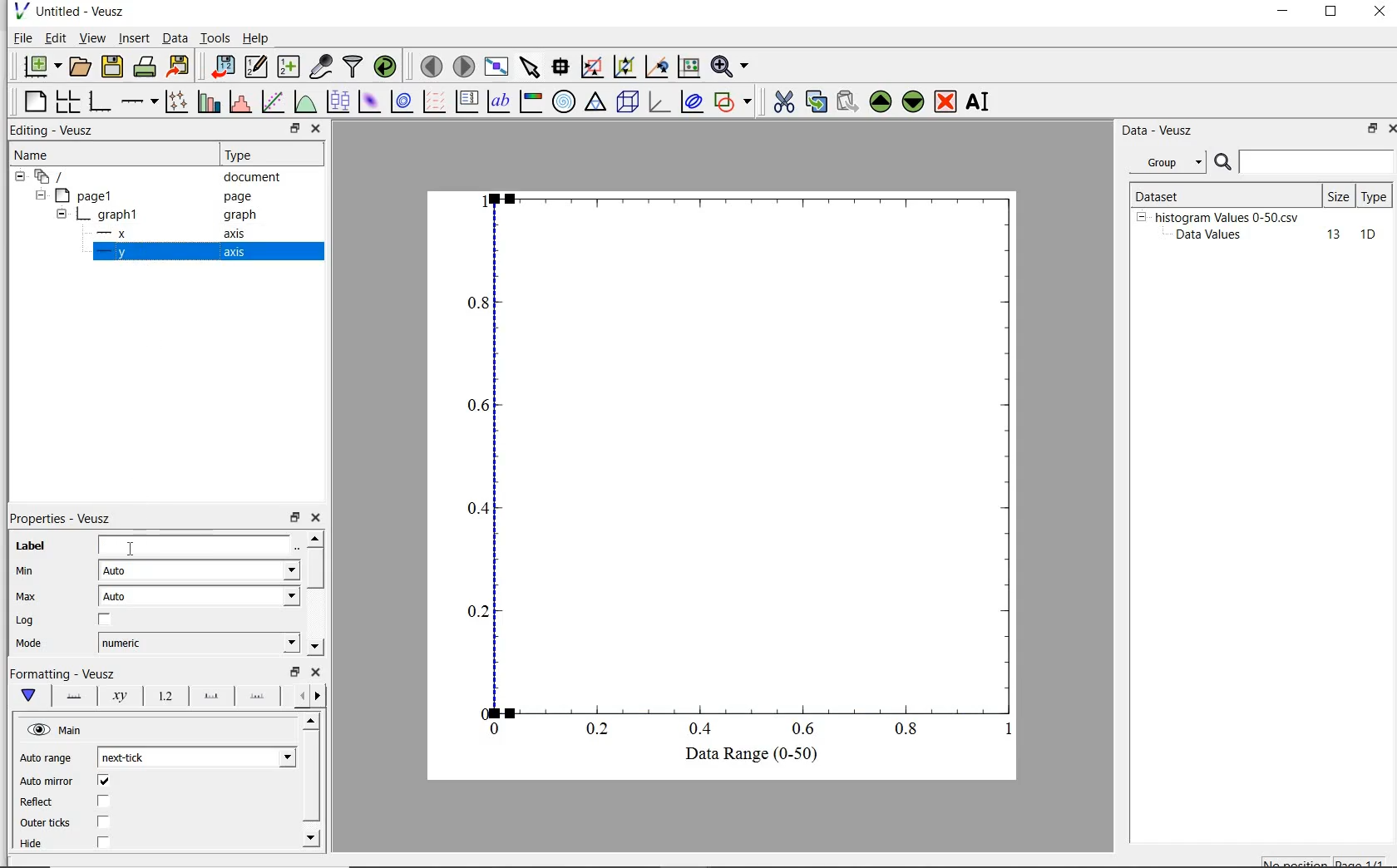 The image size is (1397, 868). I want to click on group, so click(1166, 162).